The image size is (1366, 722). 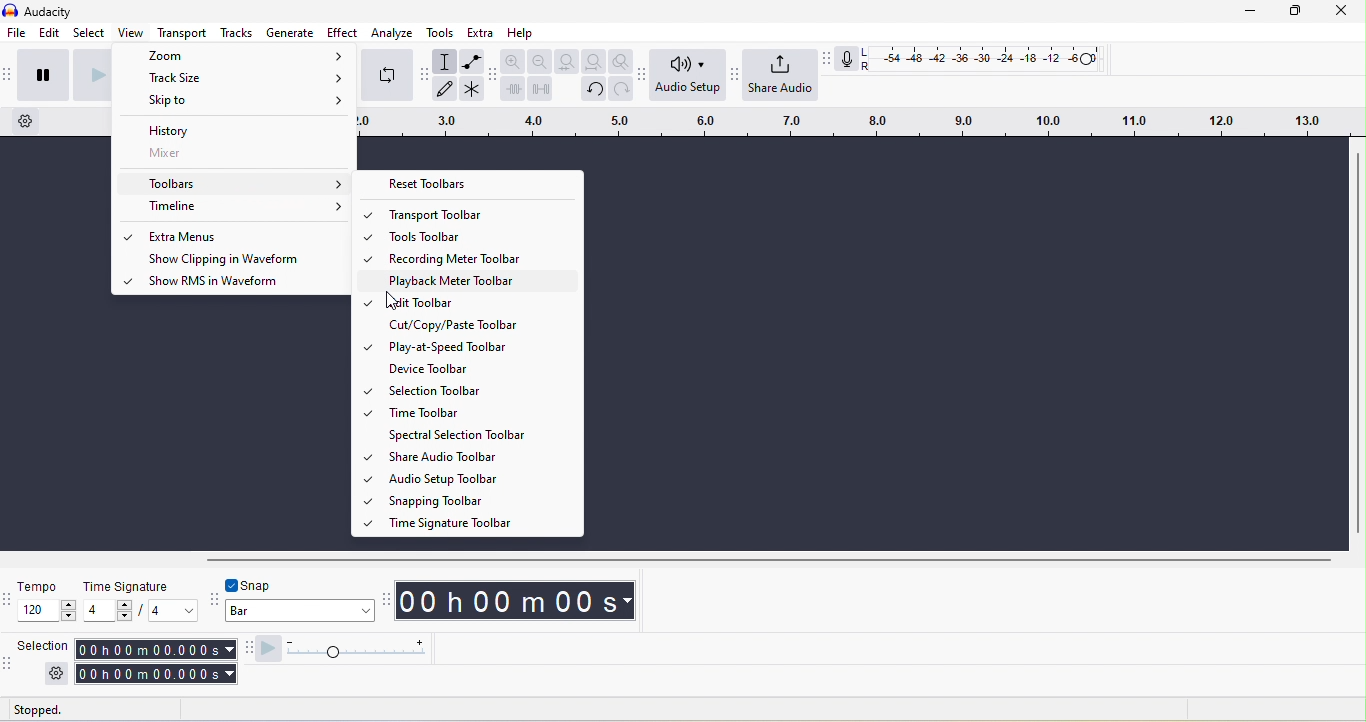 I want to click on set time signature, so click(x=108, y=610).